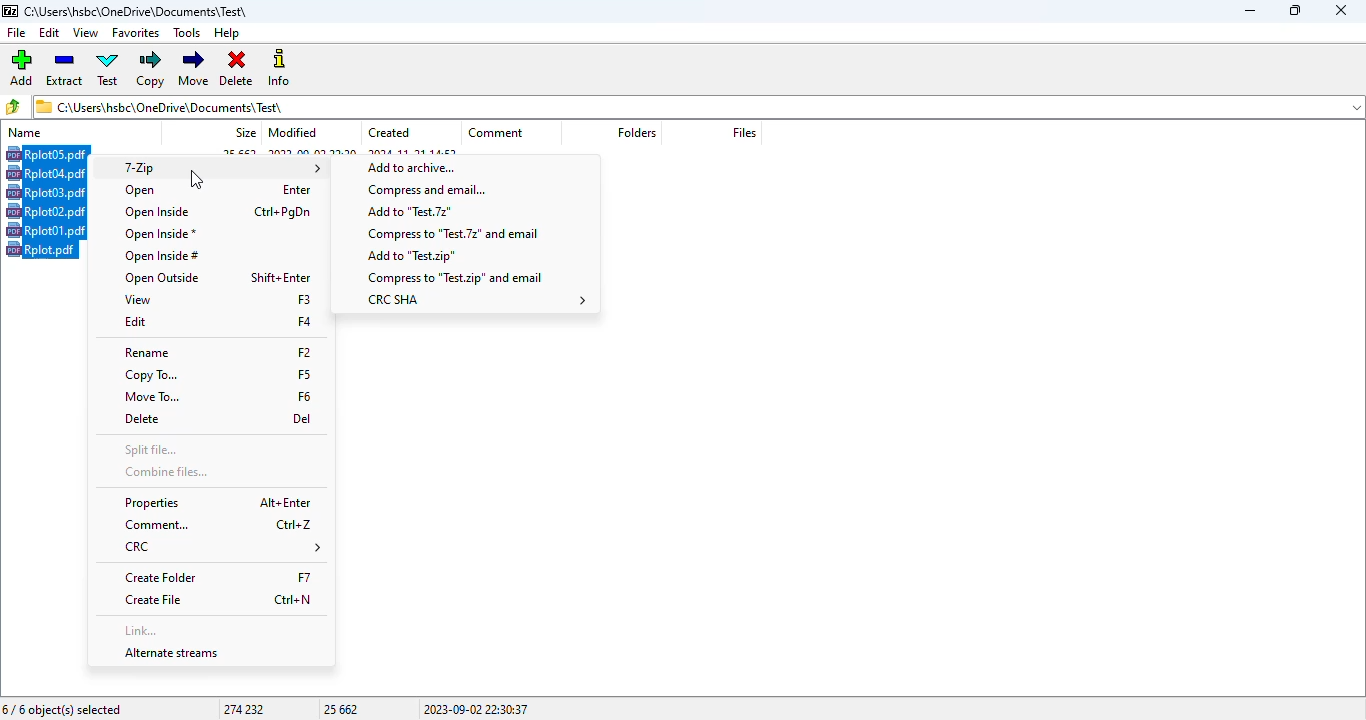 The width and height of the screenshot is (1366, 720). Describe the element at coordinates (342, 709) in the screenshot. I see `25 662` at that location.